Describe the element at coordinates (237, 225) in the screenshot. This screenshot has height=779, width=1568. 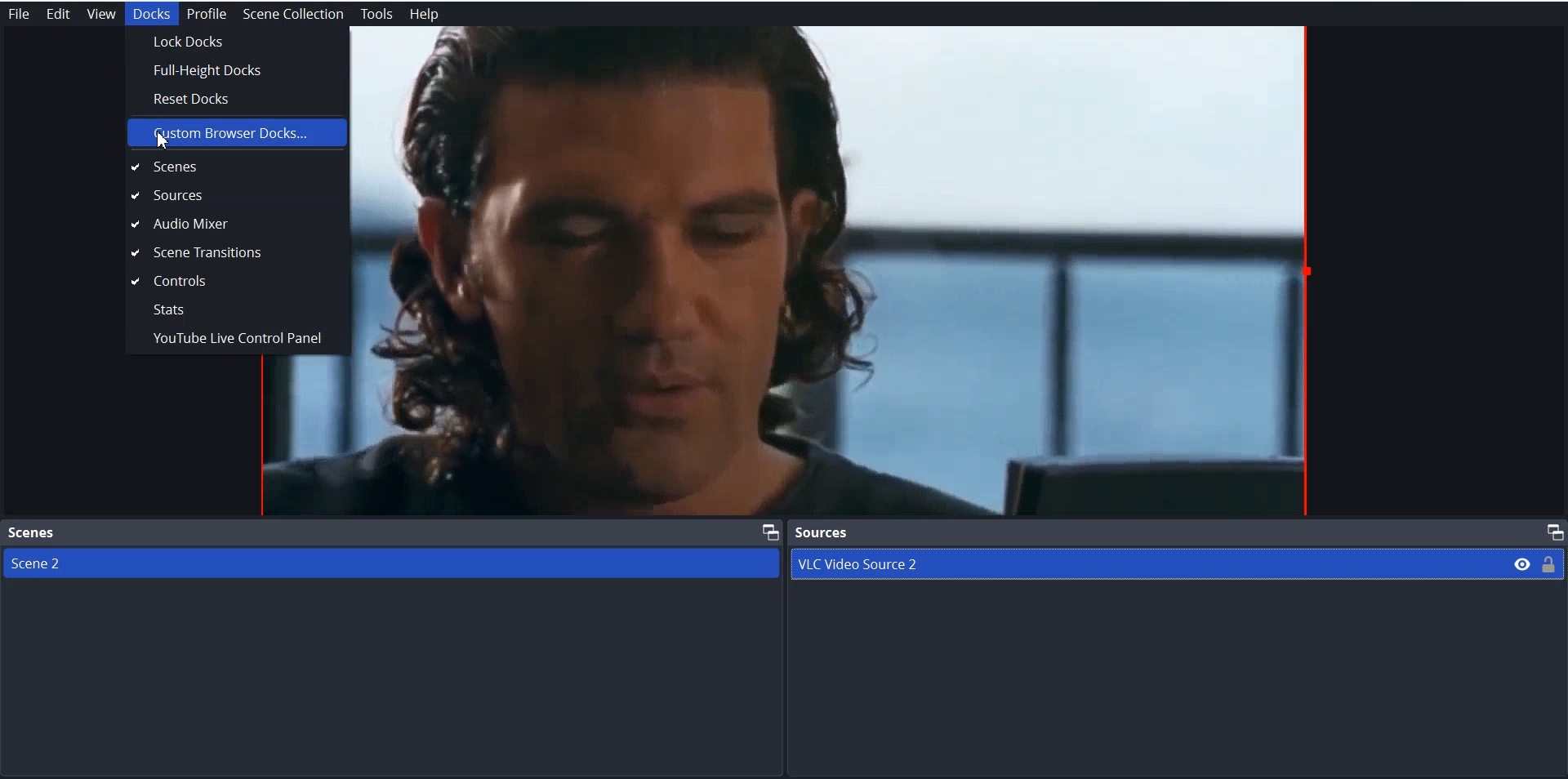
I see `Audio Mixer` at that location.